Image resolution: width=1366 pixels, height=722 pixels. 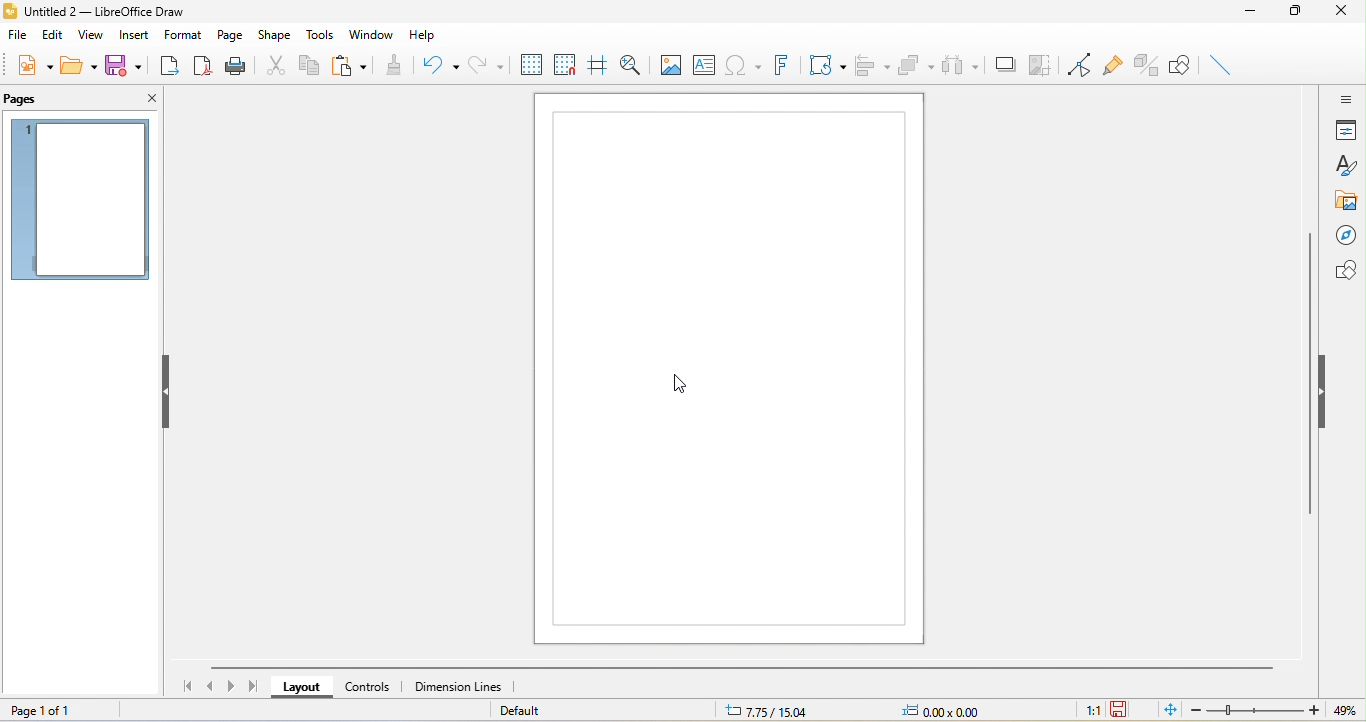 What do you see at coordinates (765, 708) in the screenshot?
I see `7.75/15.04` at bounding box center [765, 708].